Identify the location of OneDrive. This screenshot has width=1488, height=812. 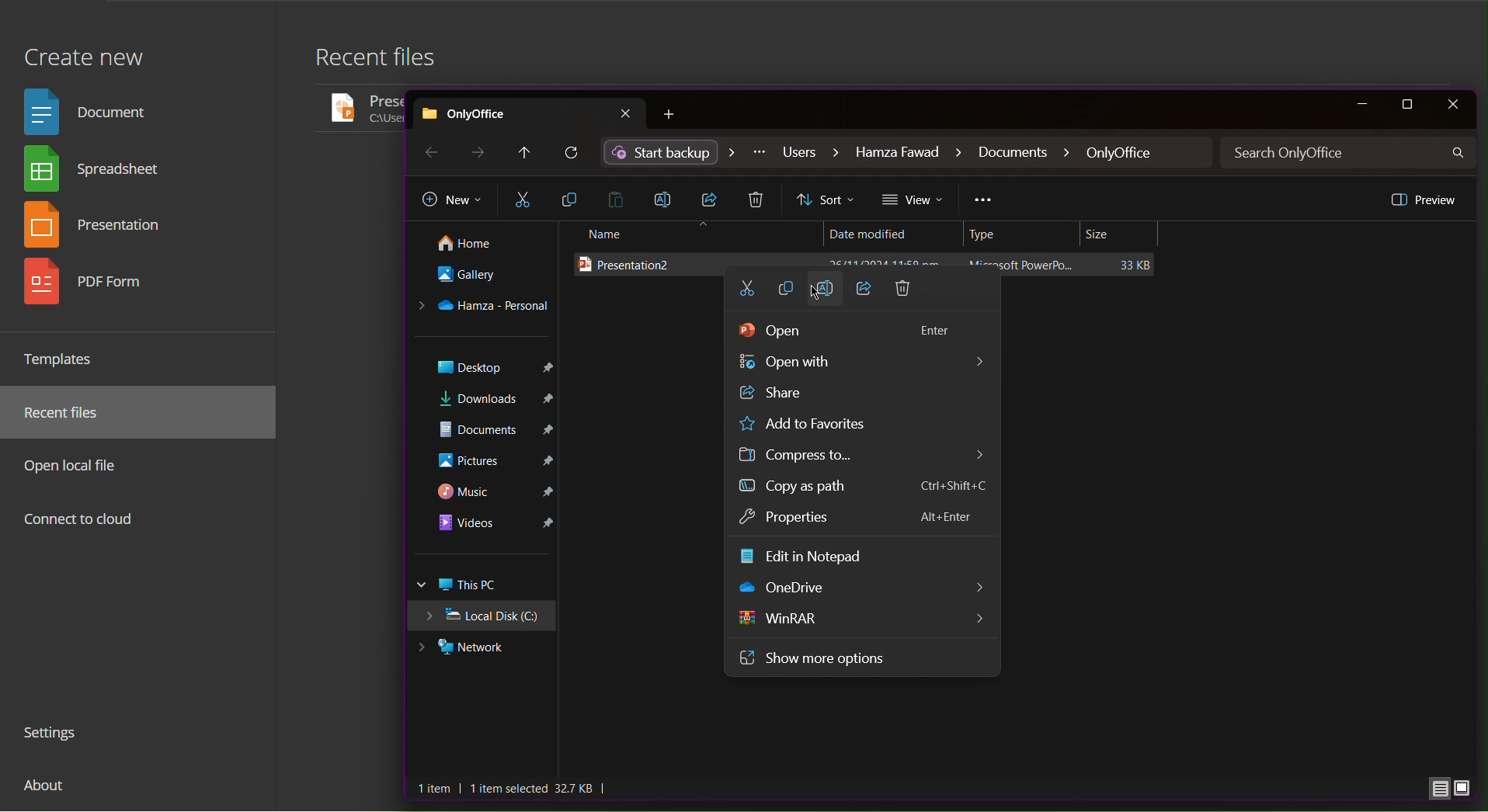
(484, 307).